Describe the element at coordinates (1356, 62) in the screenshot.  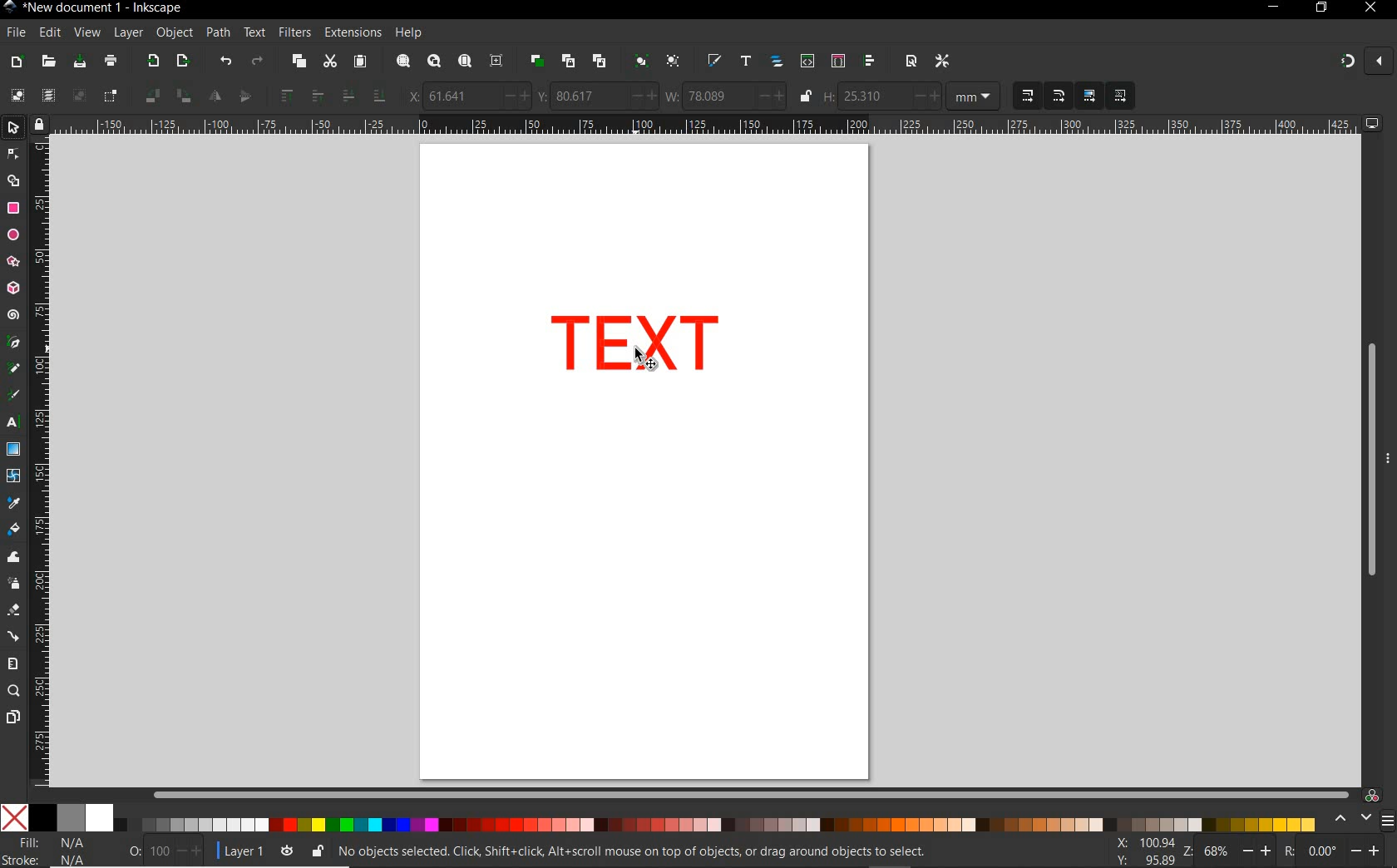
I see `ENABLE SNAPPING TOOL` at that location.